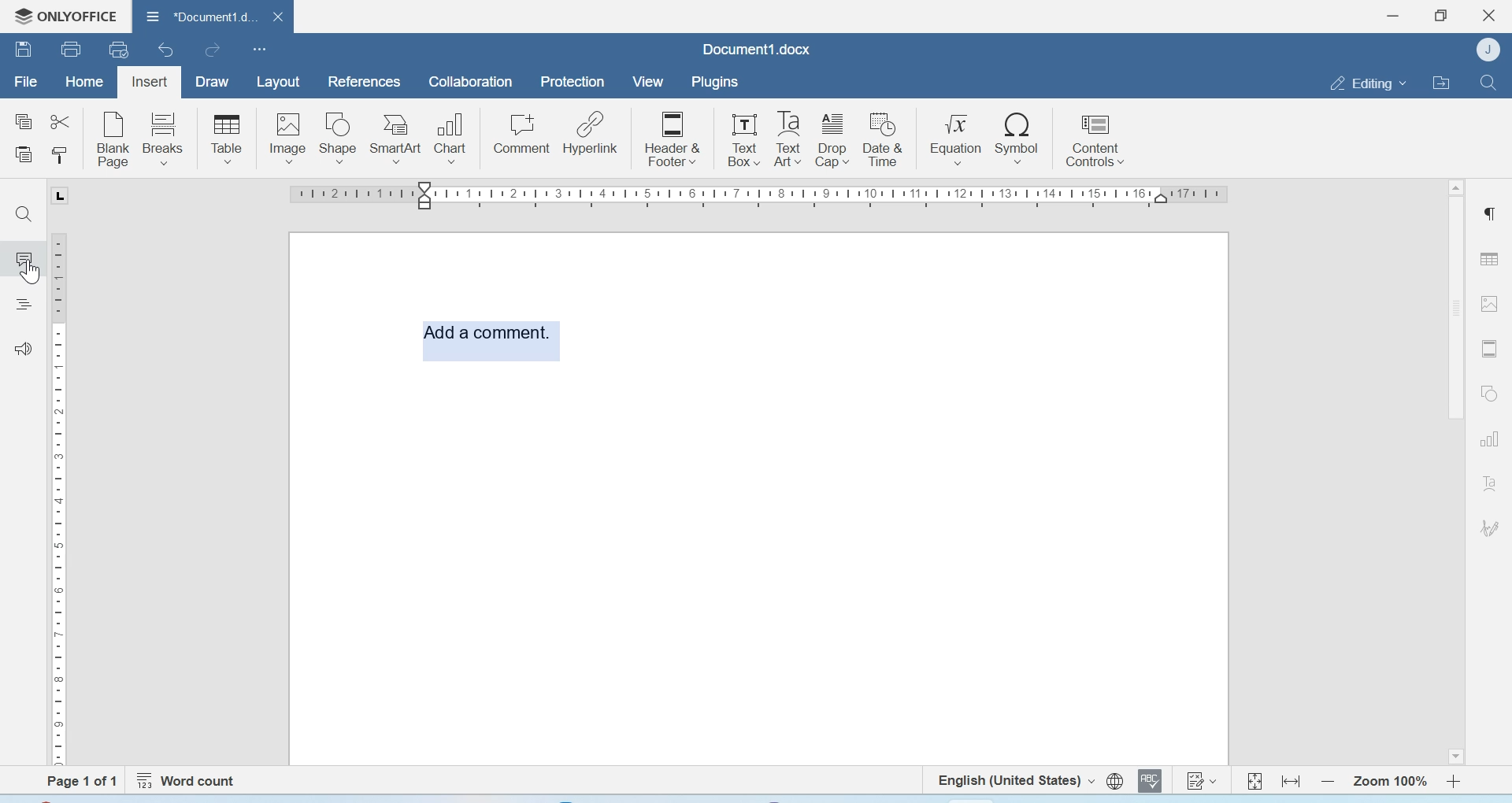 The width and height of the screenshot is (1512, 803). Describe the element at coordinates (22, 213) in the screenshot. I see `Find` at that location.